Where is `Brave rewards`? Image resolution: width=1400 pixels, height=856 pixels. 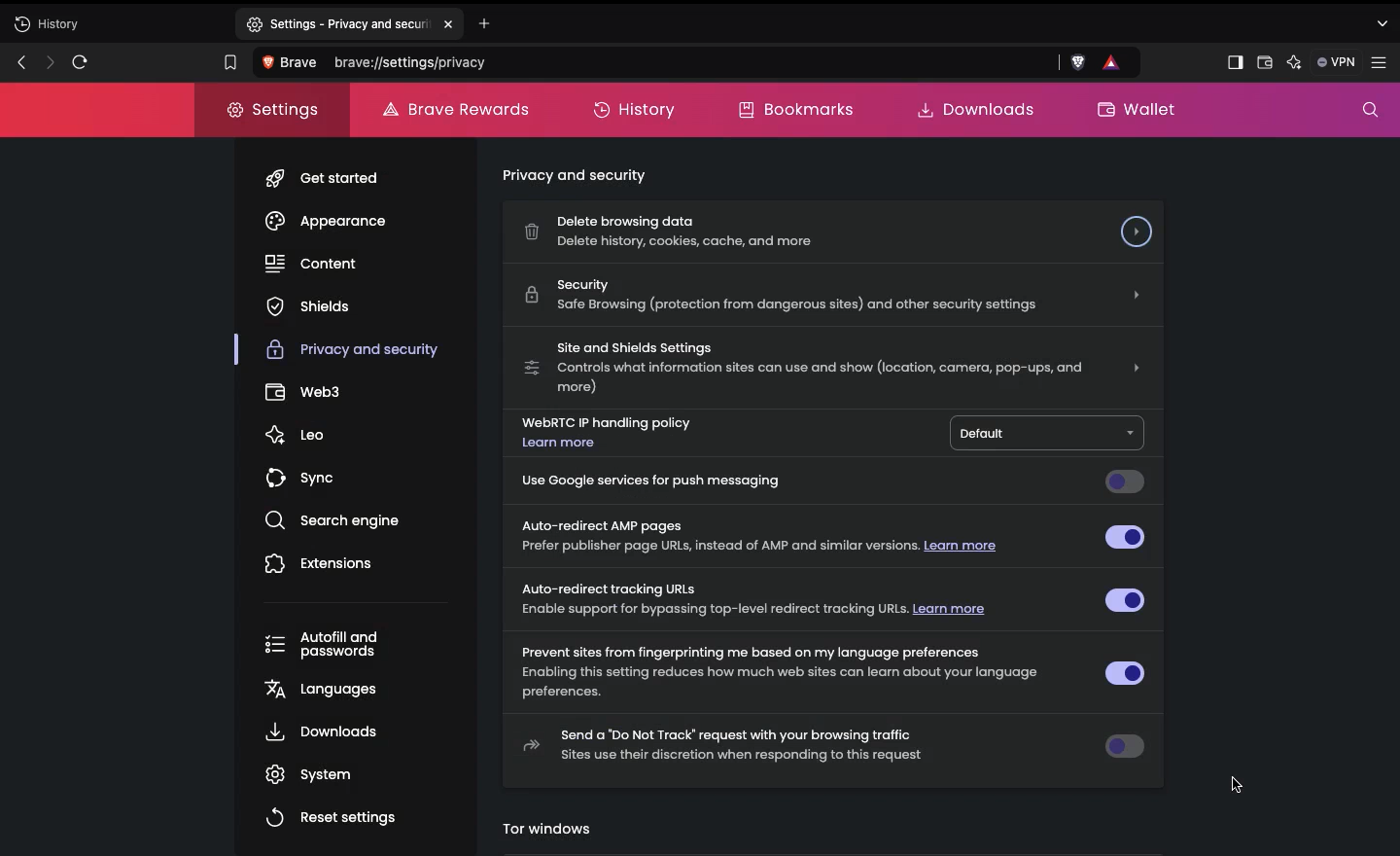 Brave rewards is located at coordinates (454, 108).